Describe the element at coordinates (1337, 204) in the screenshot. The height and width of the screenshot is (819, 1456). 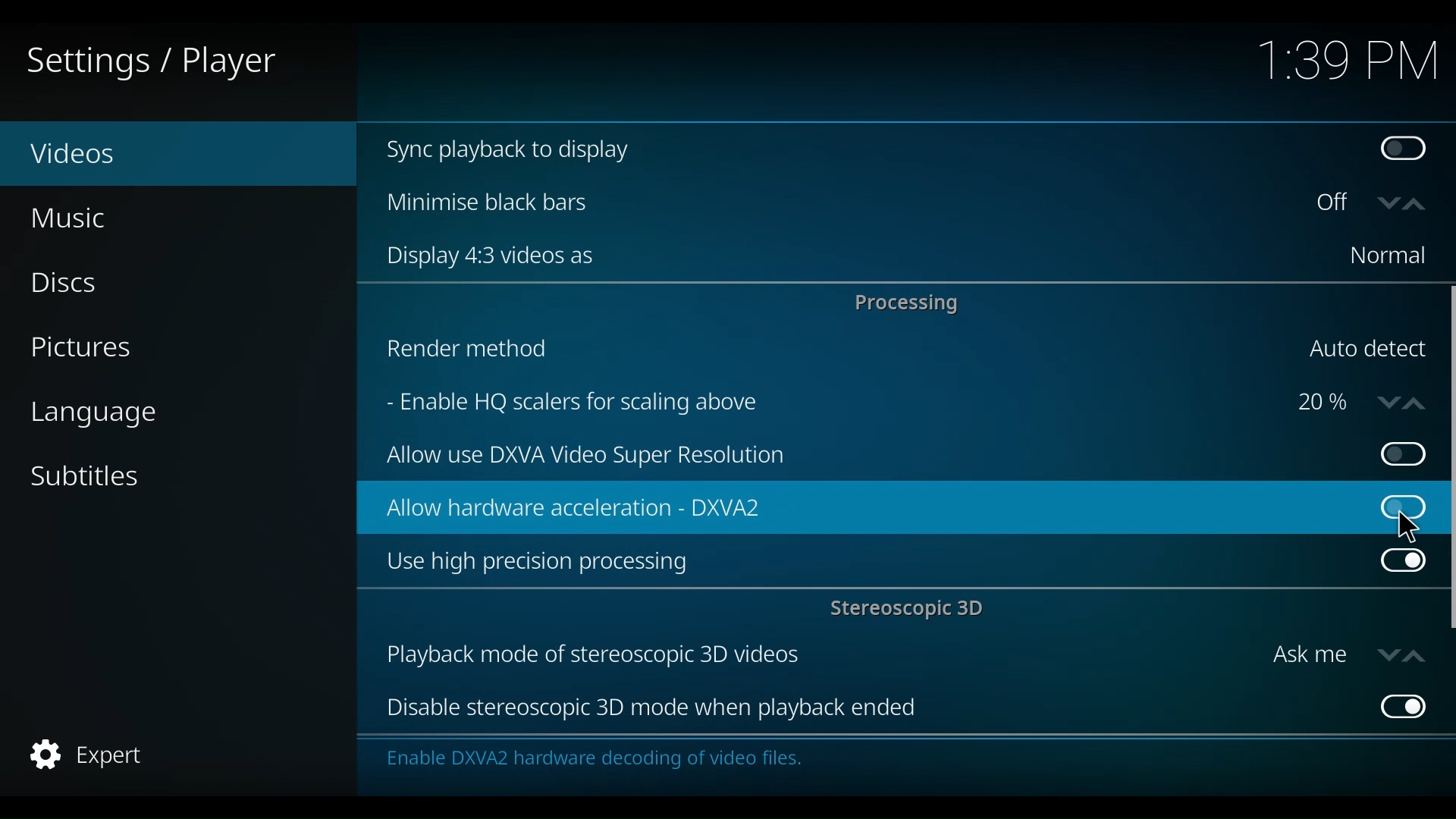
I see `Toggle on or off` at that location.